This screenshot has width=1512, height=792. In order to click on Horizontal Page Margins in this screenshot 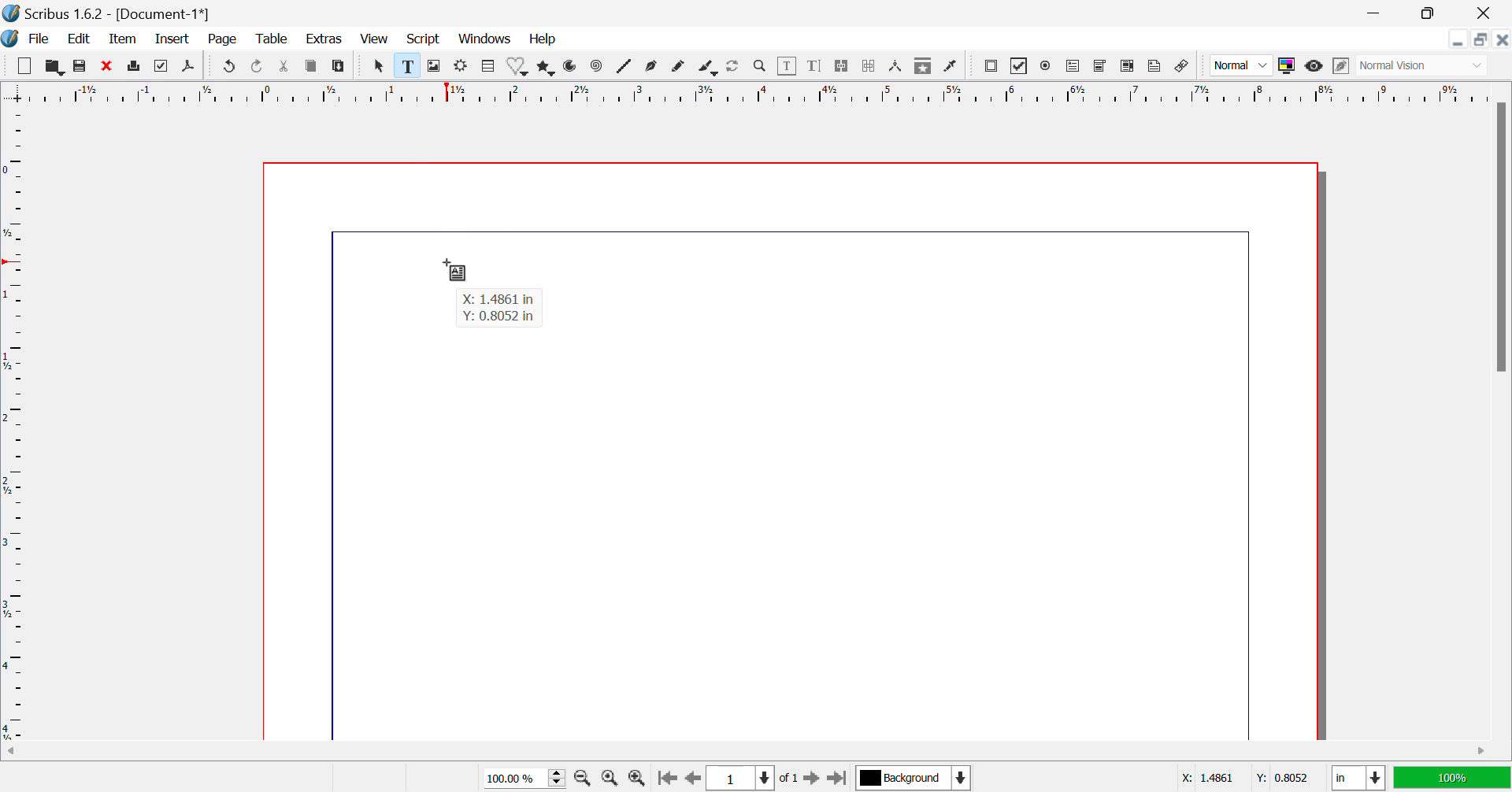, I will do `click(19, 425)`.